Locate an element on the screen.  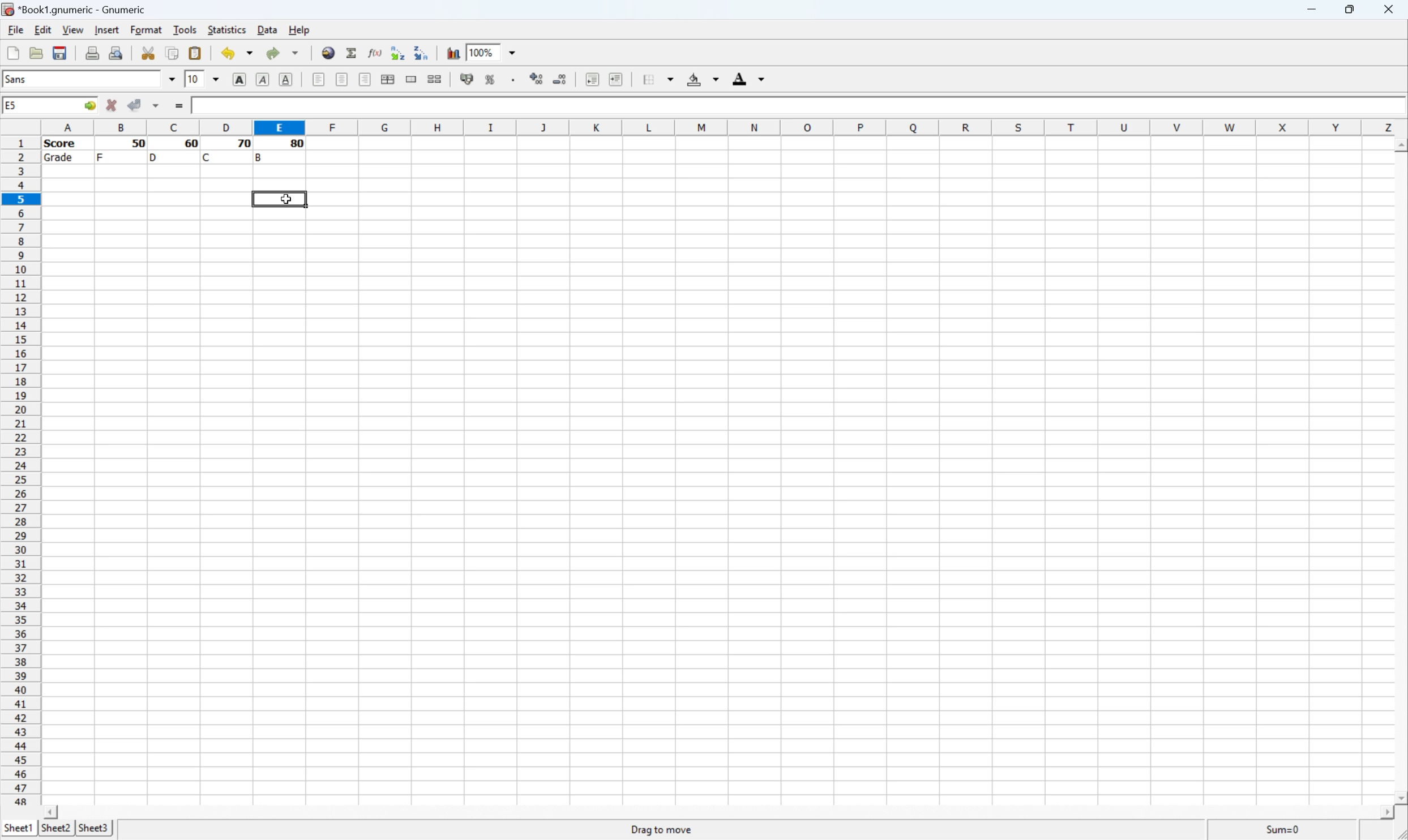
sort the selected region in descending order based on the first column selected  is located at coordinates (423, 55).